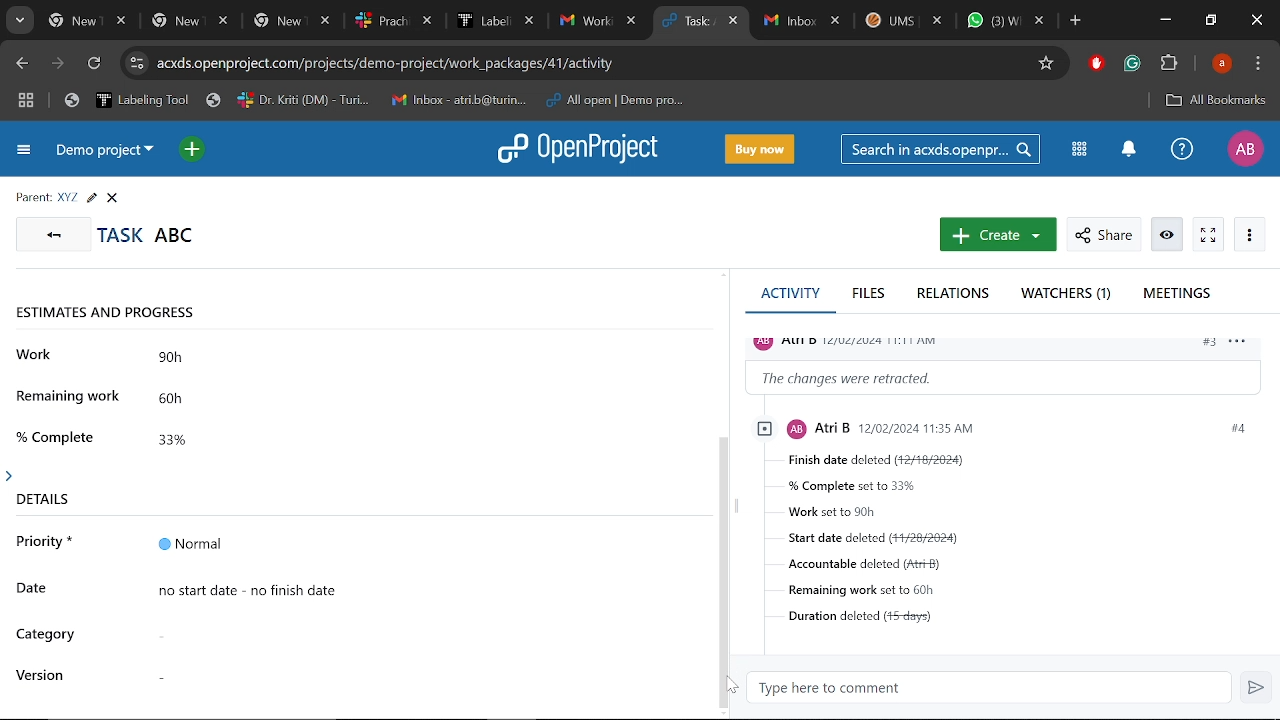  Describe the element at coordinates (1169, 235) in the screenshot. I see `Unwatch work package` at that location.